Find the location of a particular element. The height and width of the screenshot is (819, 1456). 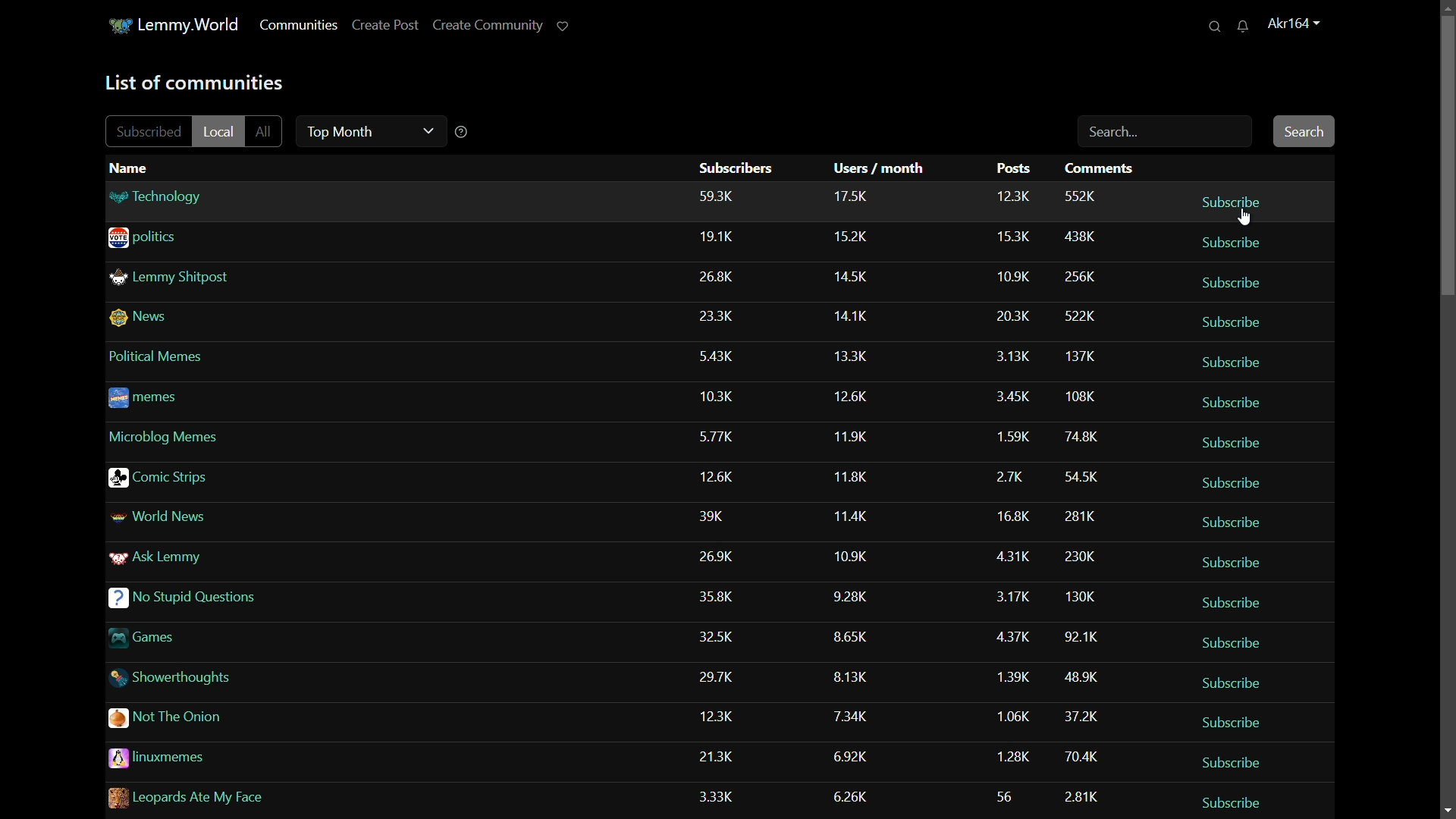

posts is located at coordinates (1012, 196).